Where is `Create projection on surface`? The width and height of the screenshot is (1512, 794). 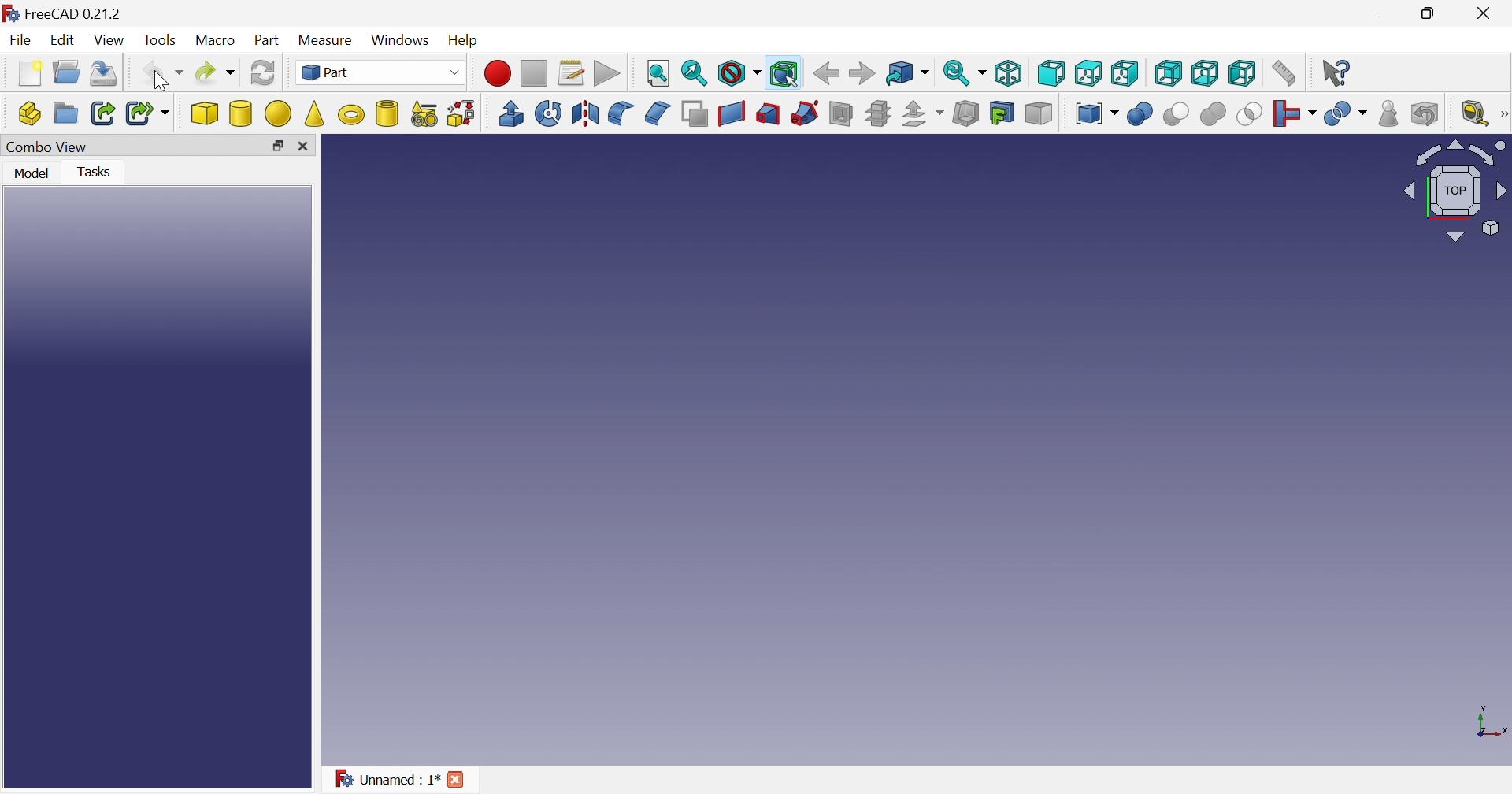 Create projection on surface is located at coordinates (1002, 113).